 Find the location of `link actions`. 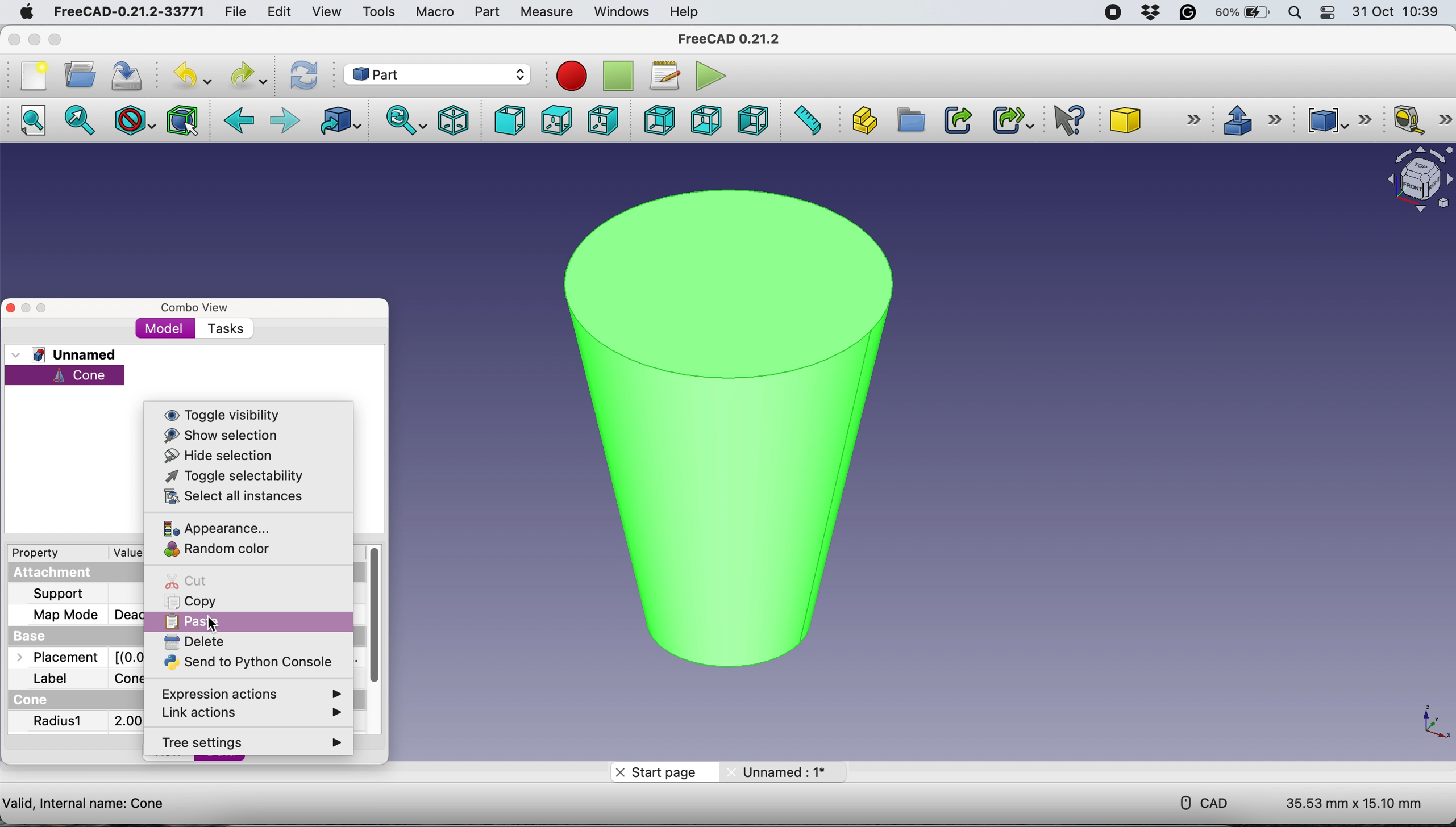

link actions is located at coordinates (253, 712).